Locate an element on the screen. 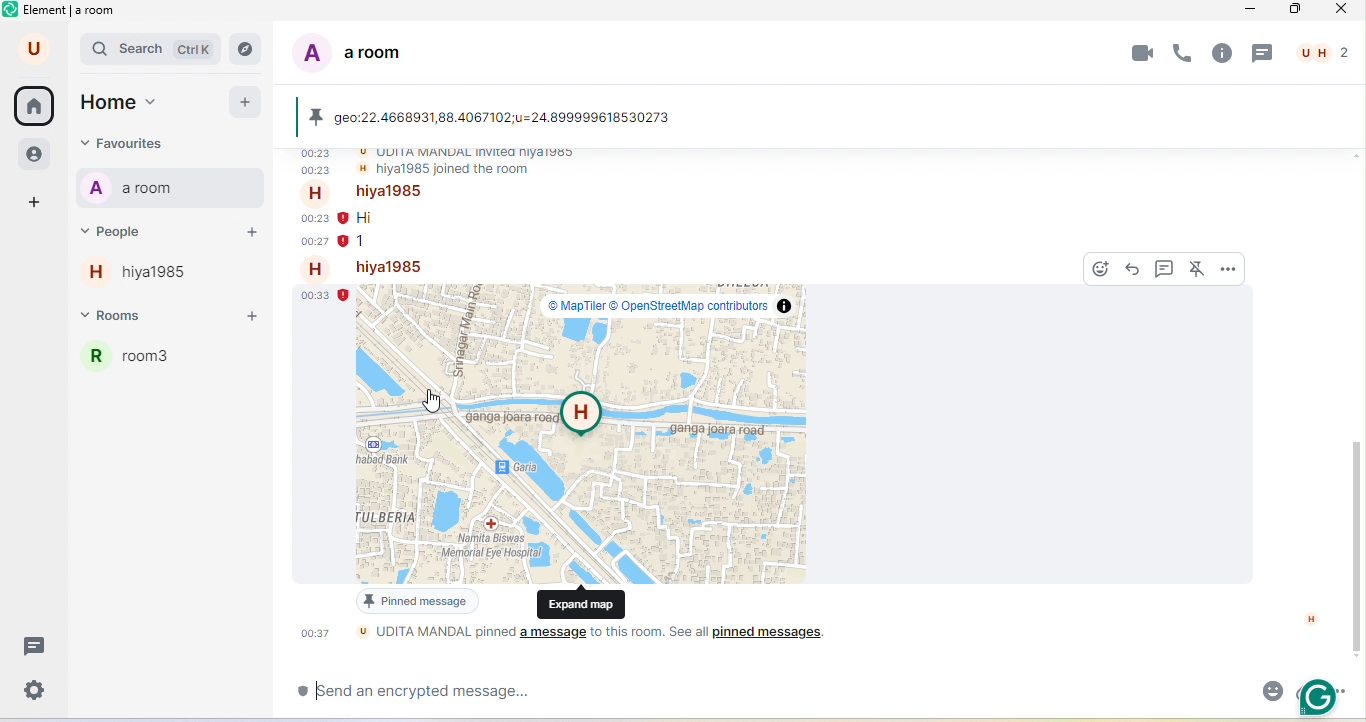 The image size is (1366, 722). close is located at coordinates (1345, 12).